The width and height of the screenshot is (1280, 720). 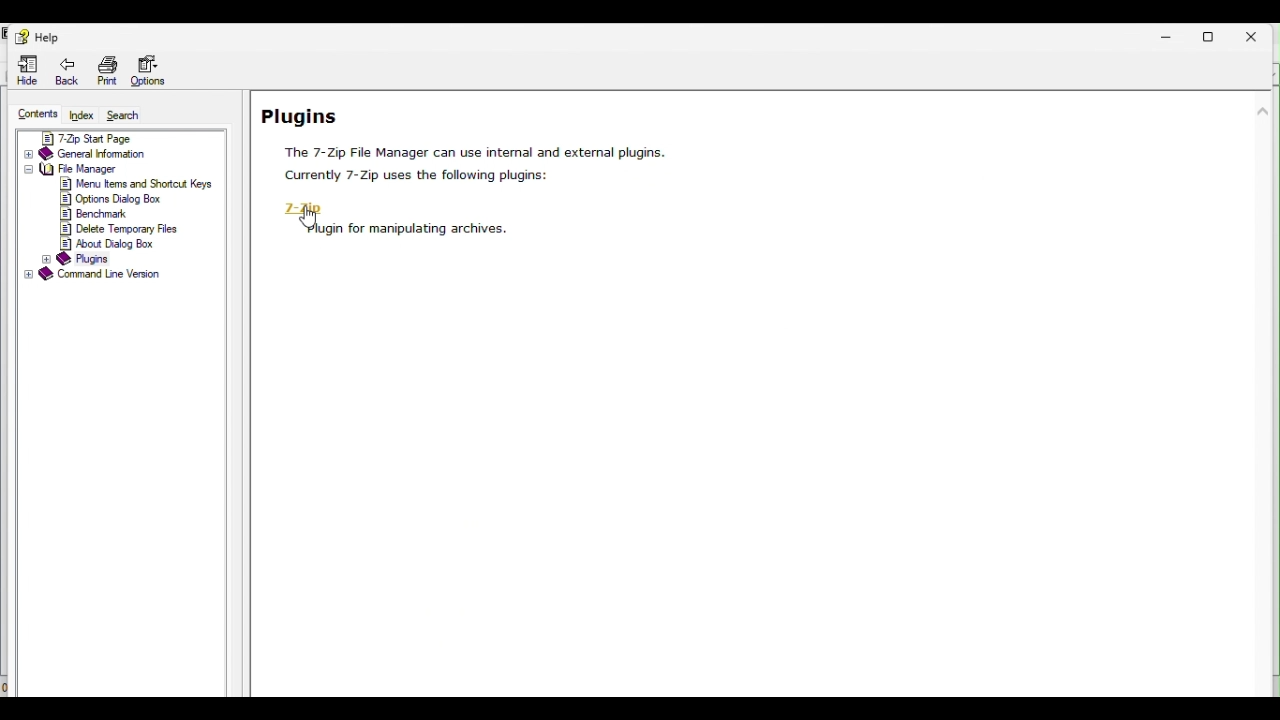 I want to click on menu, so click(x=139, y=184).